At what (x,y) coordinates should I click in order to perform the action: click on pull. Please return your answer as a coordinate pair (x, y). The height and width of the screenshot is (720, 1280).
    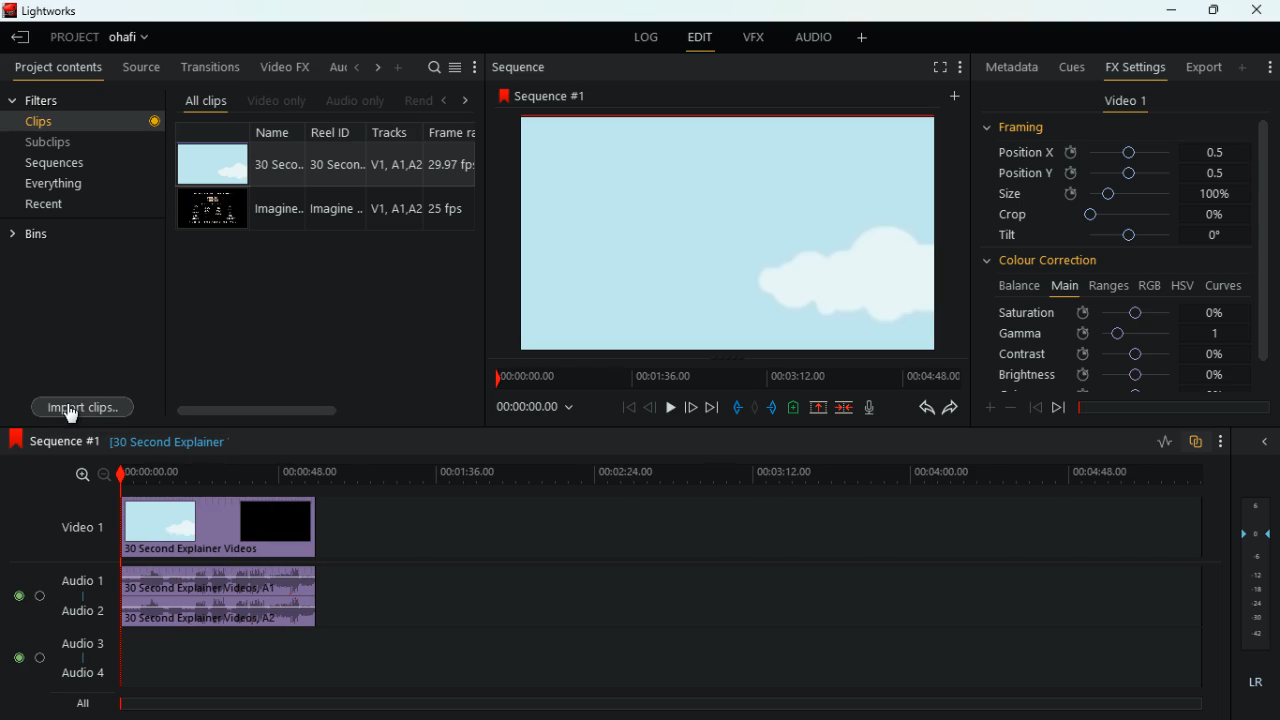
    Looking at the image, I should click on (736, 406).